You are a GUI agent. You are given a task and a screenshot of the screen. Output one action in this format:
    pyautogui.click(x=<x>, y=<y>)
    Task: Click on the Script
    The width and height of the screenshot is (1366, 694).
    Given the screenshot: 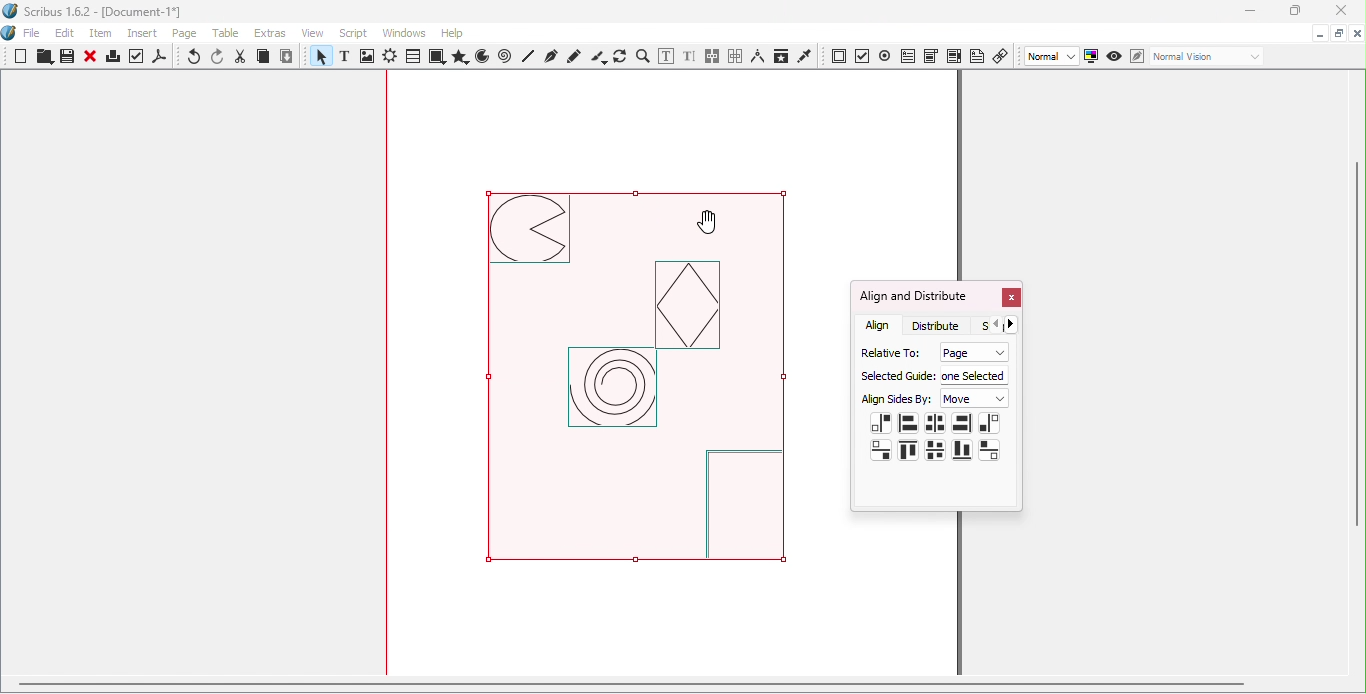 What is the action you would take?
    pyautogui.click(x=356, y=32)
    